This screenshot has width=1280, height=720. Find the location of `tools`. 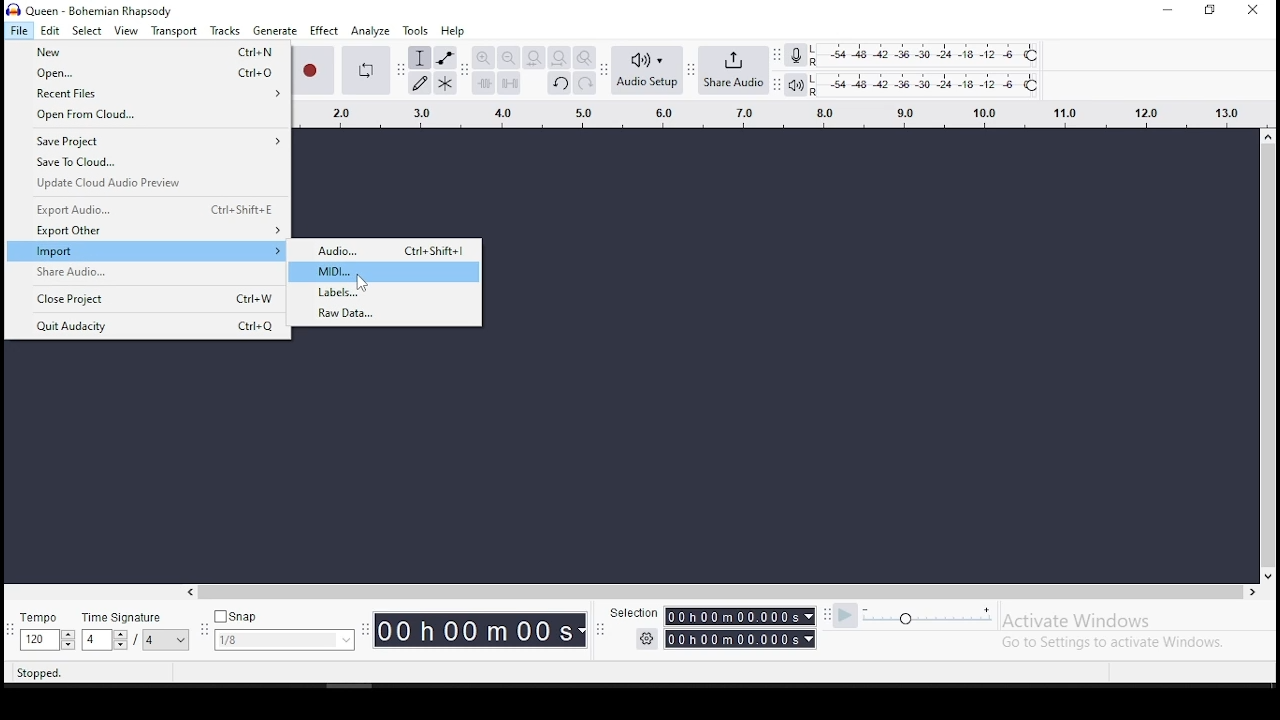

tools is located at coordinates (415, 31).